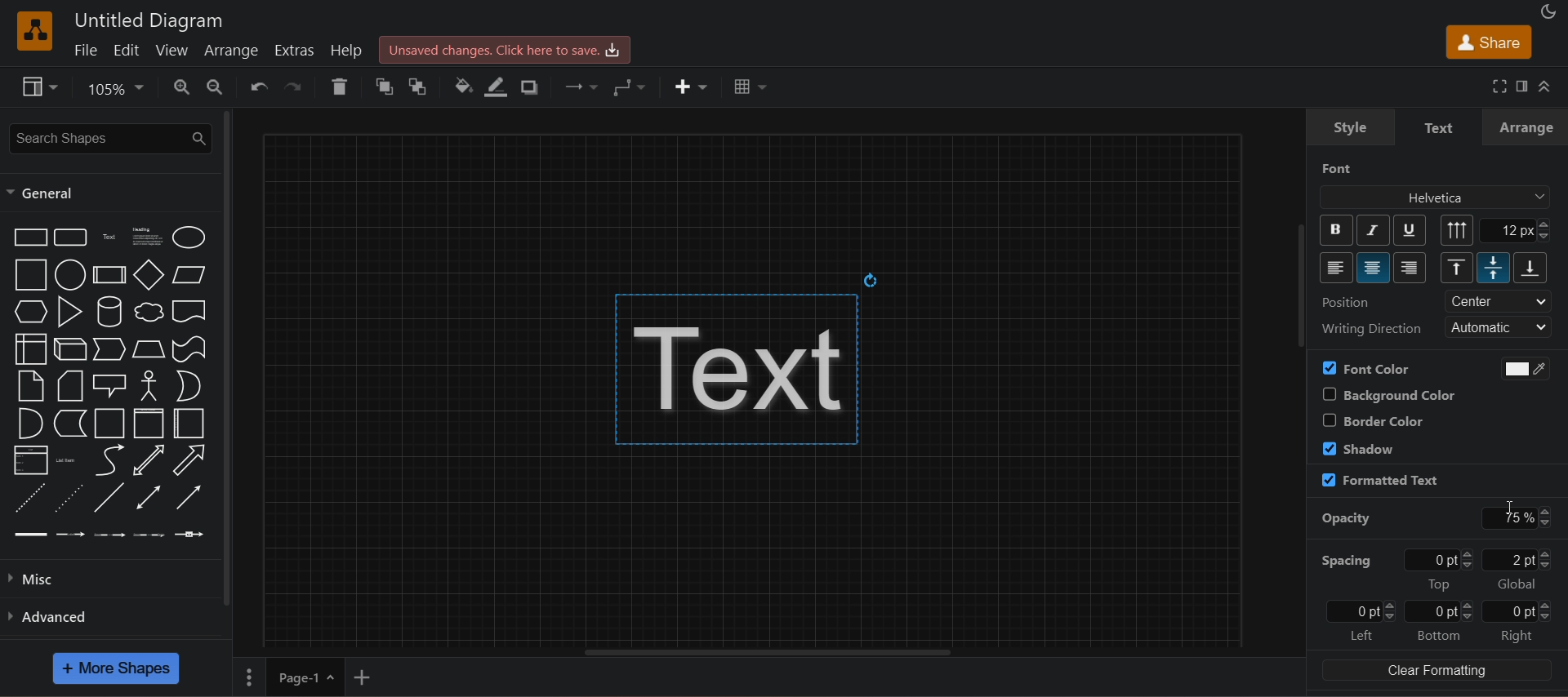  Describe the element at coordinates (348, 49) in the screenshot. I see `help` at that location.